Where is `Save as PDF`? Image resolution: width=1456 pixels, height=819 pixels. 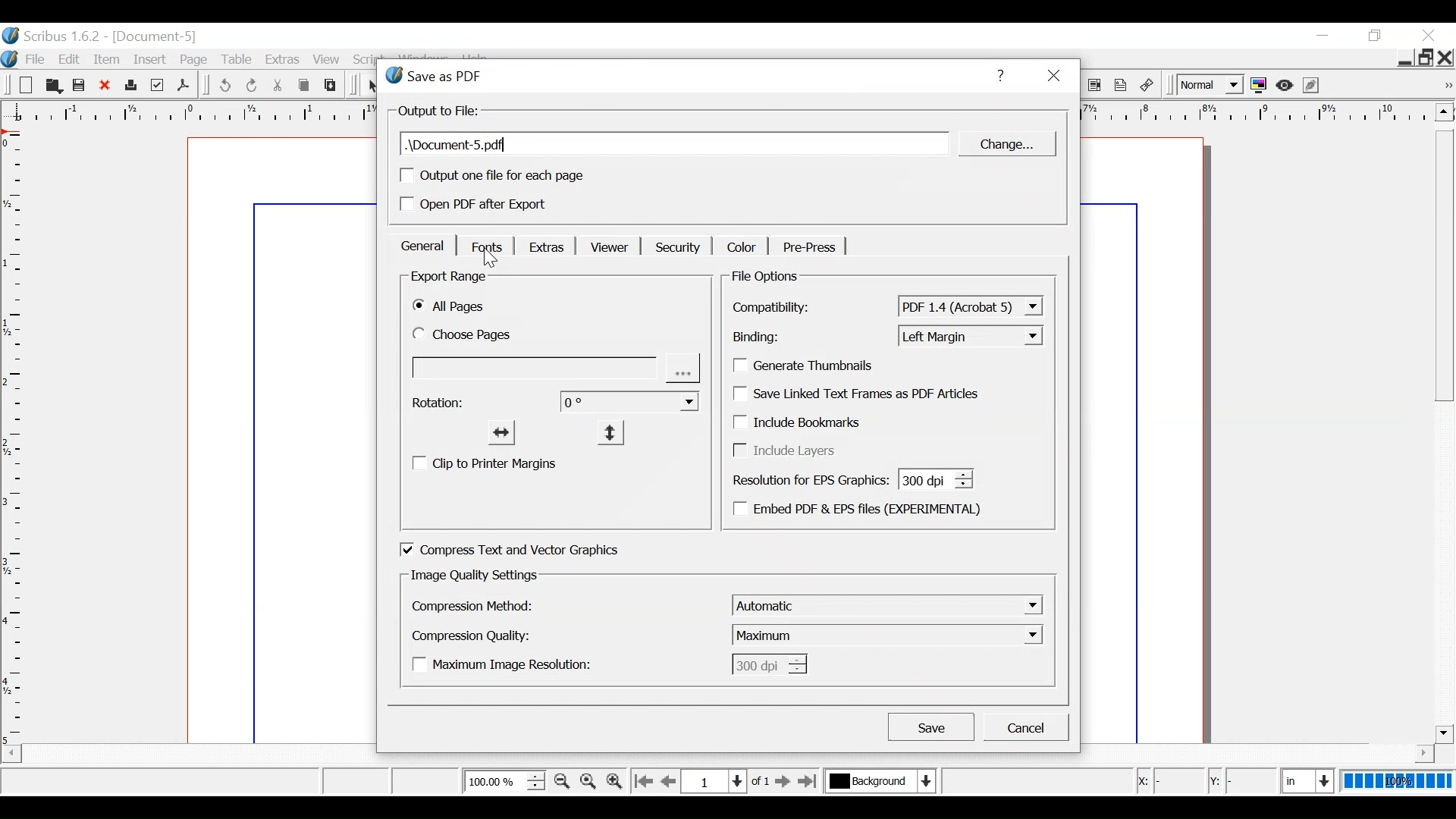 Save as PDF is located at coordinates (183, 85).